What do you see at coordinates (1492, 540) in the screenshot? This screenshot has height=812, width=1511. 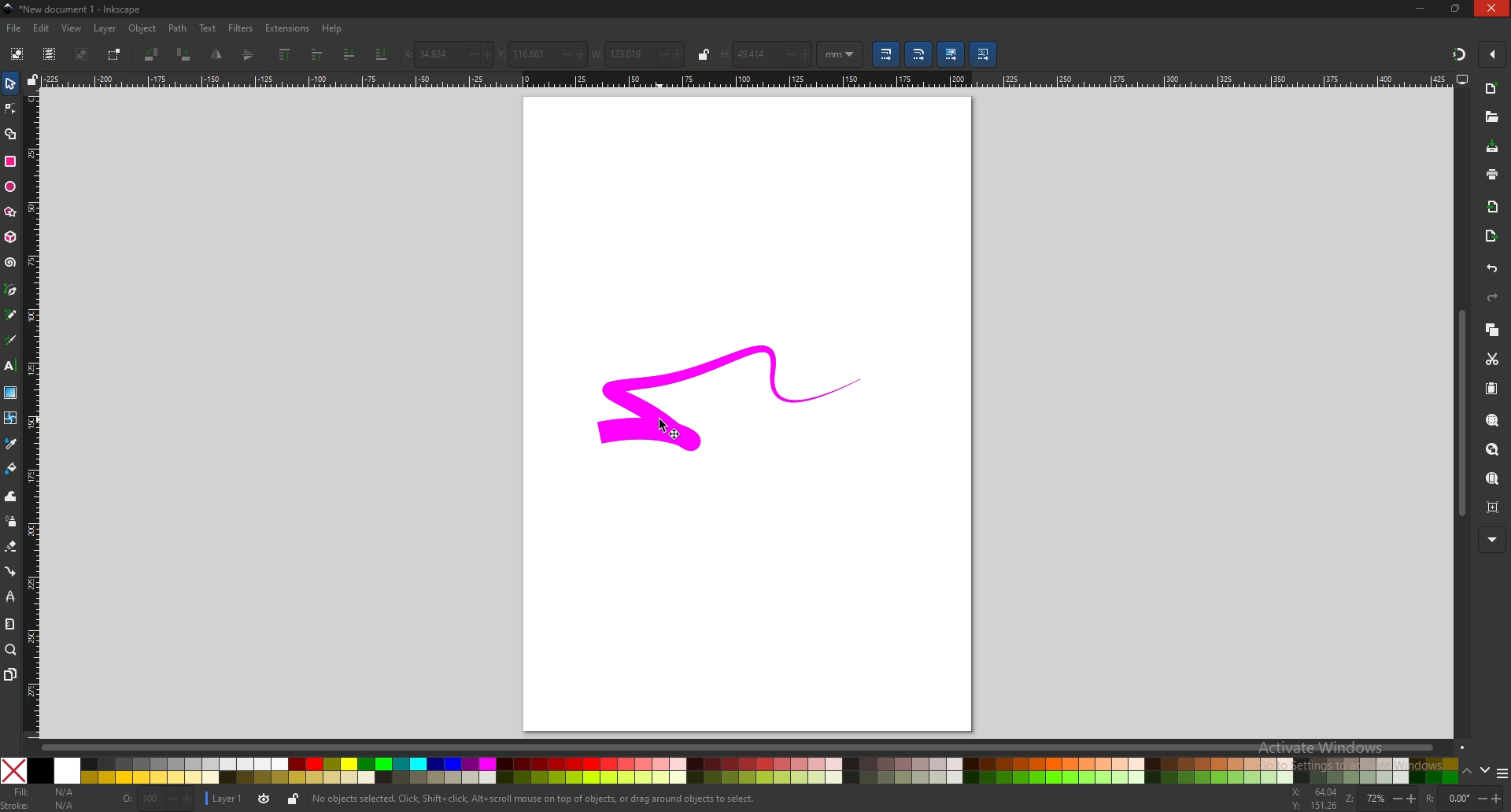 I see `more` at bounding box center [1492, 540].